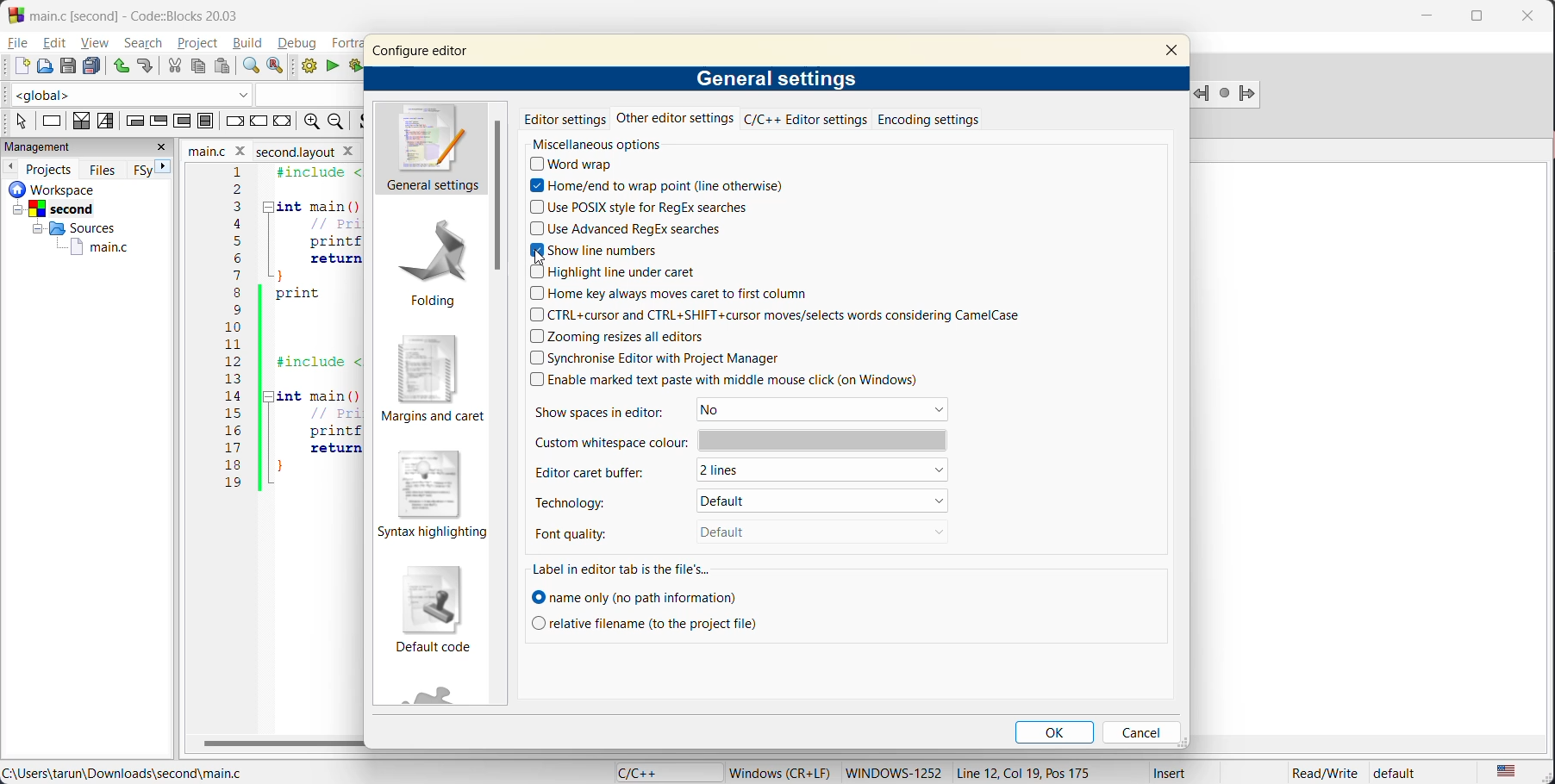  Describe the element at coordinates (429, 492) in the screenshot. I see `syntax highlighting` at that location.